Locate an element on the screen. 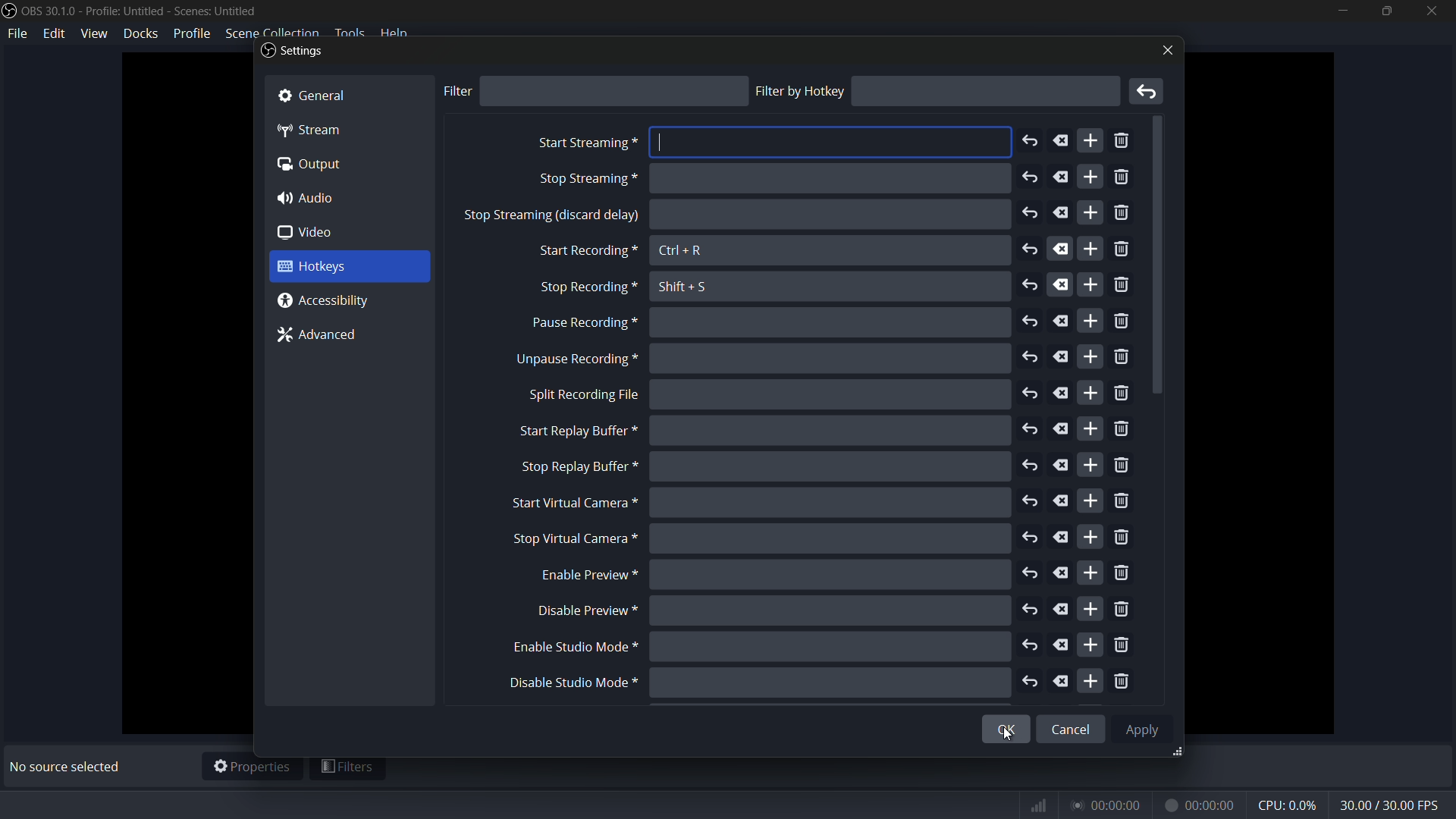  undo is located at coordinates (1028, 142).